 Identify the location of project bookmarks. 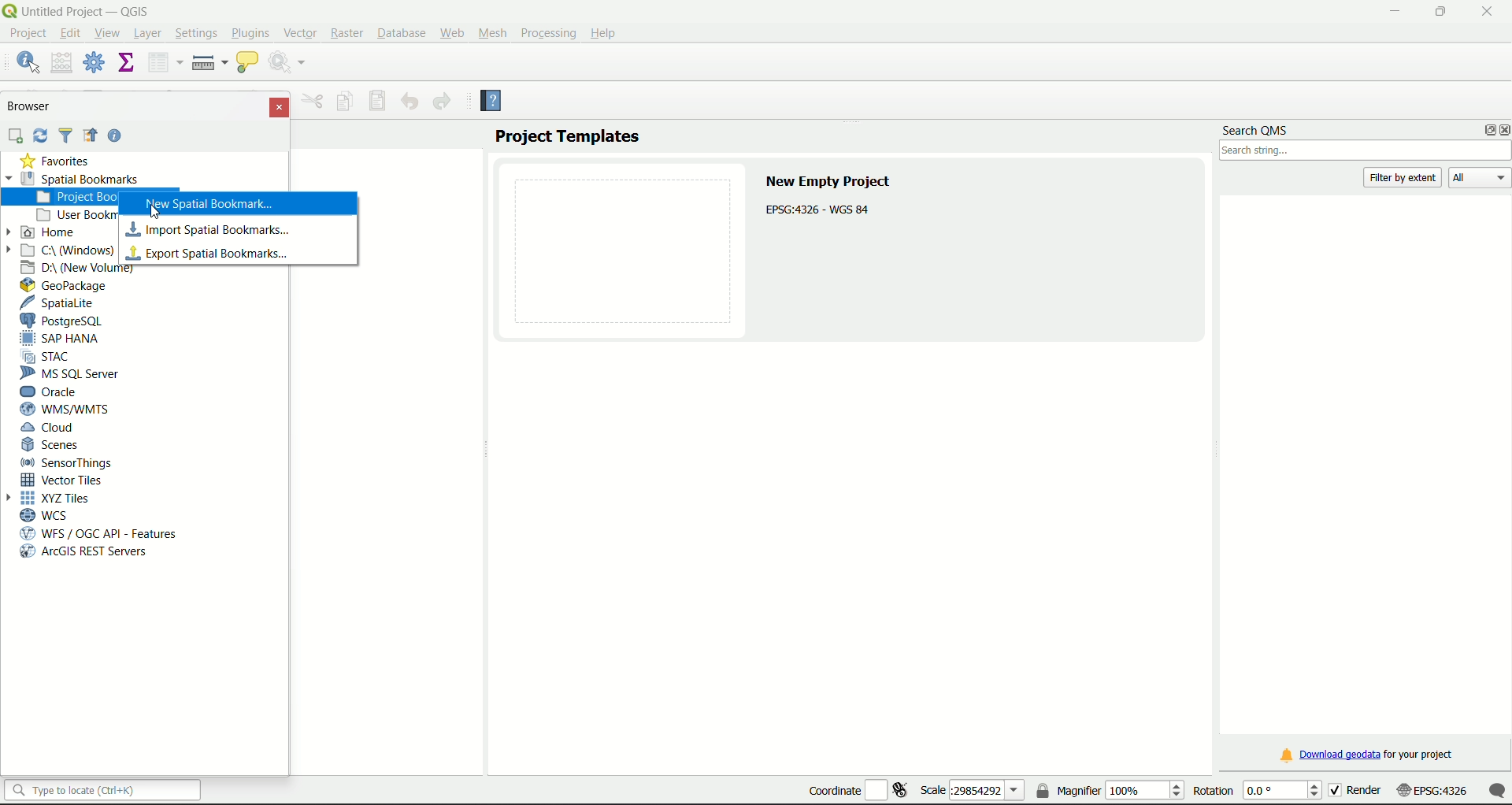
(76, 196).